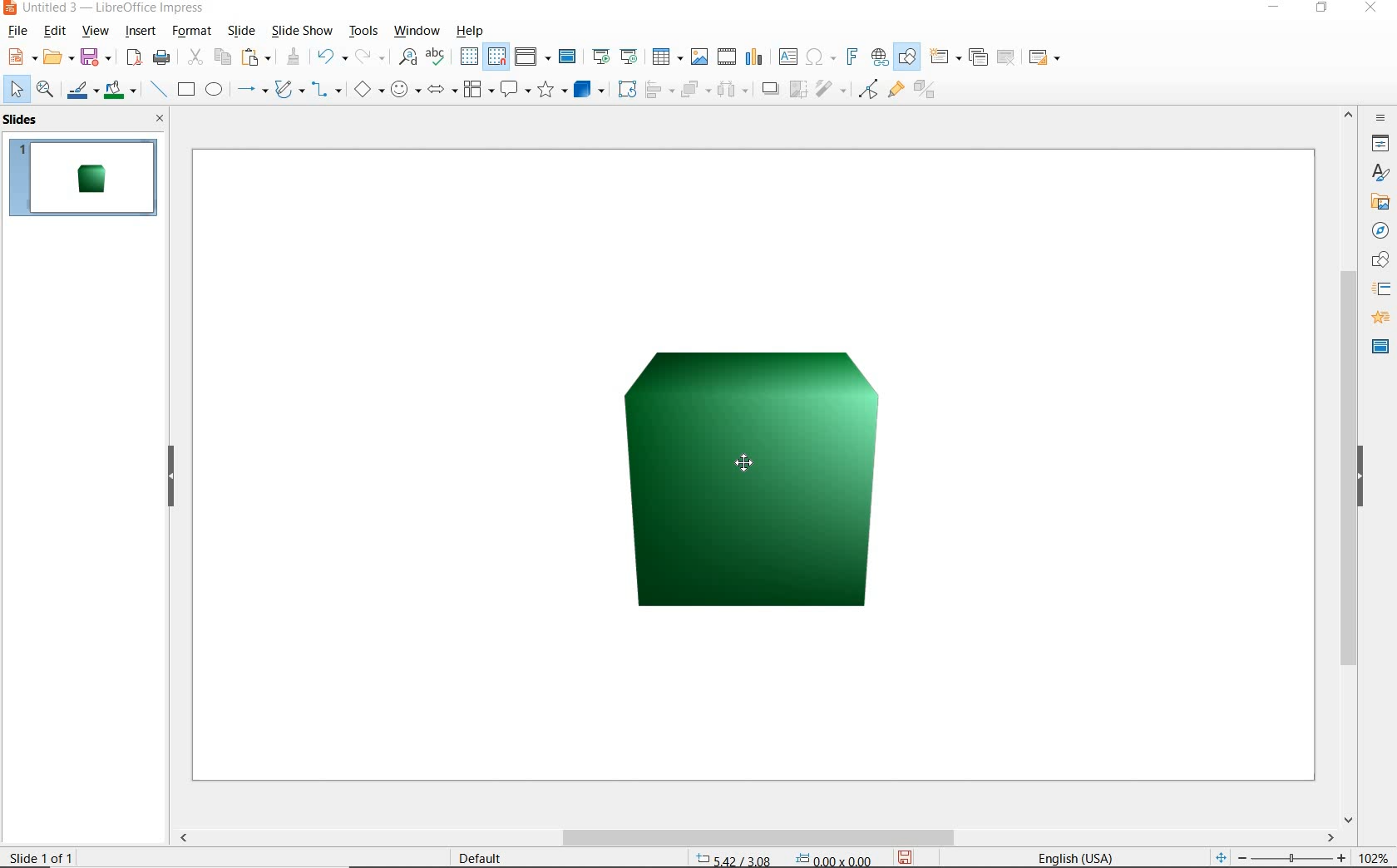 This screenshot has width=1397, height=868. I want to click on file, so click(20, 31).